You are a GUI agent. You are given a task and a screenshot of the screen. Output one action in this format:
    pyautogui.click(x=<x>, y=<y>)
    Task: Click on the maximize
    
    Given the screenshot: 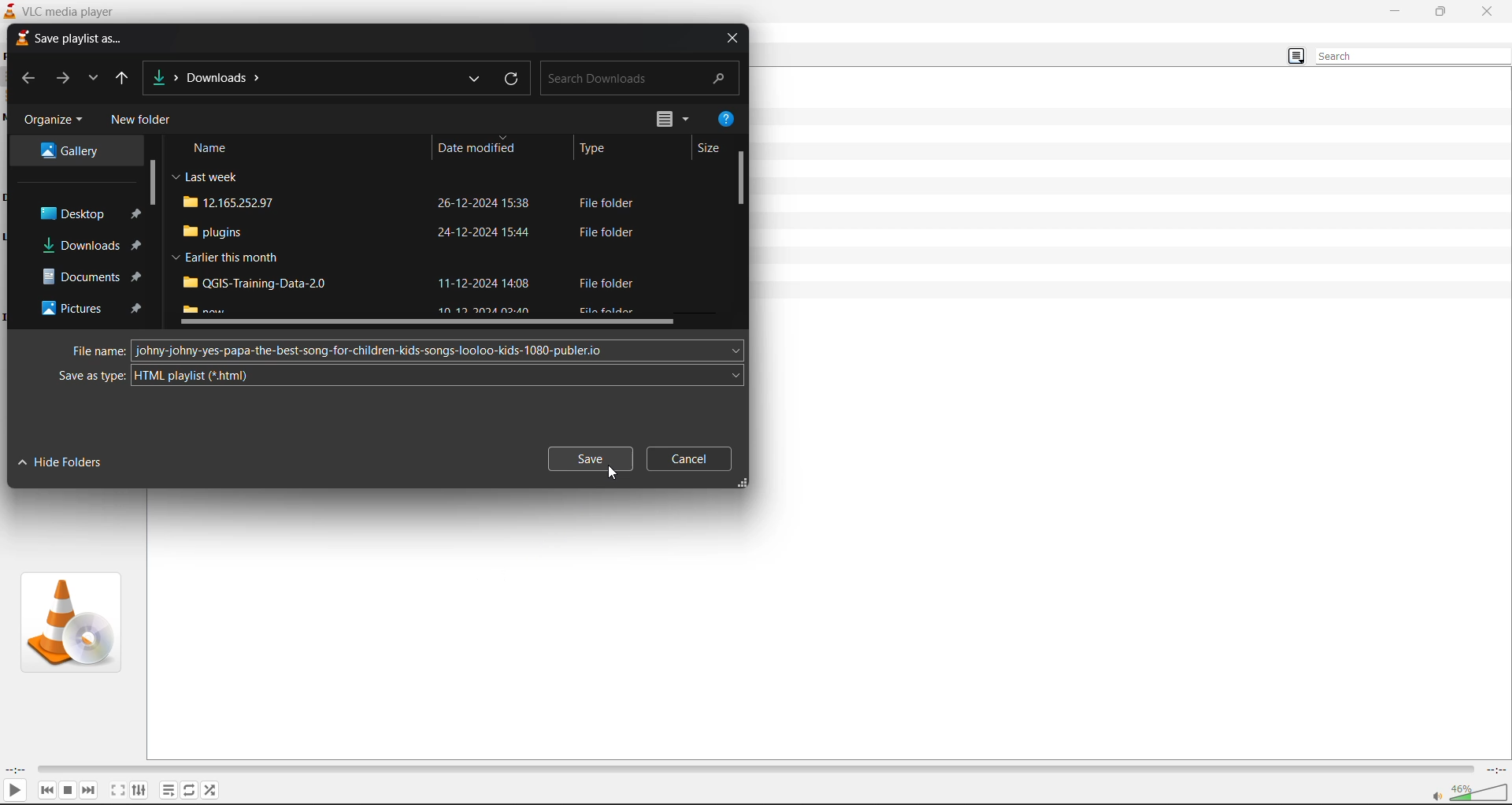 What is the action you would take?
    pyautogui.click(x=1440, y=13)
    